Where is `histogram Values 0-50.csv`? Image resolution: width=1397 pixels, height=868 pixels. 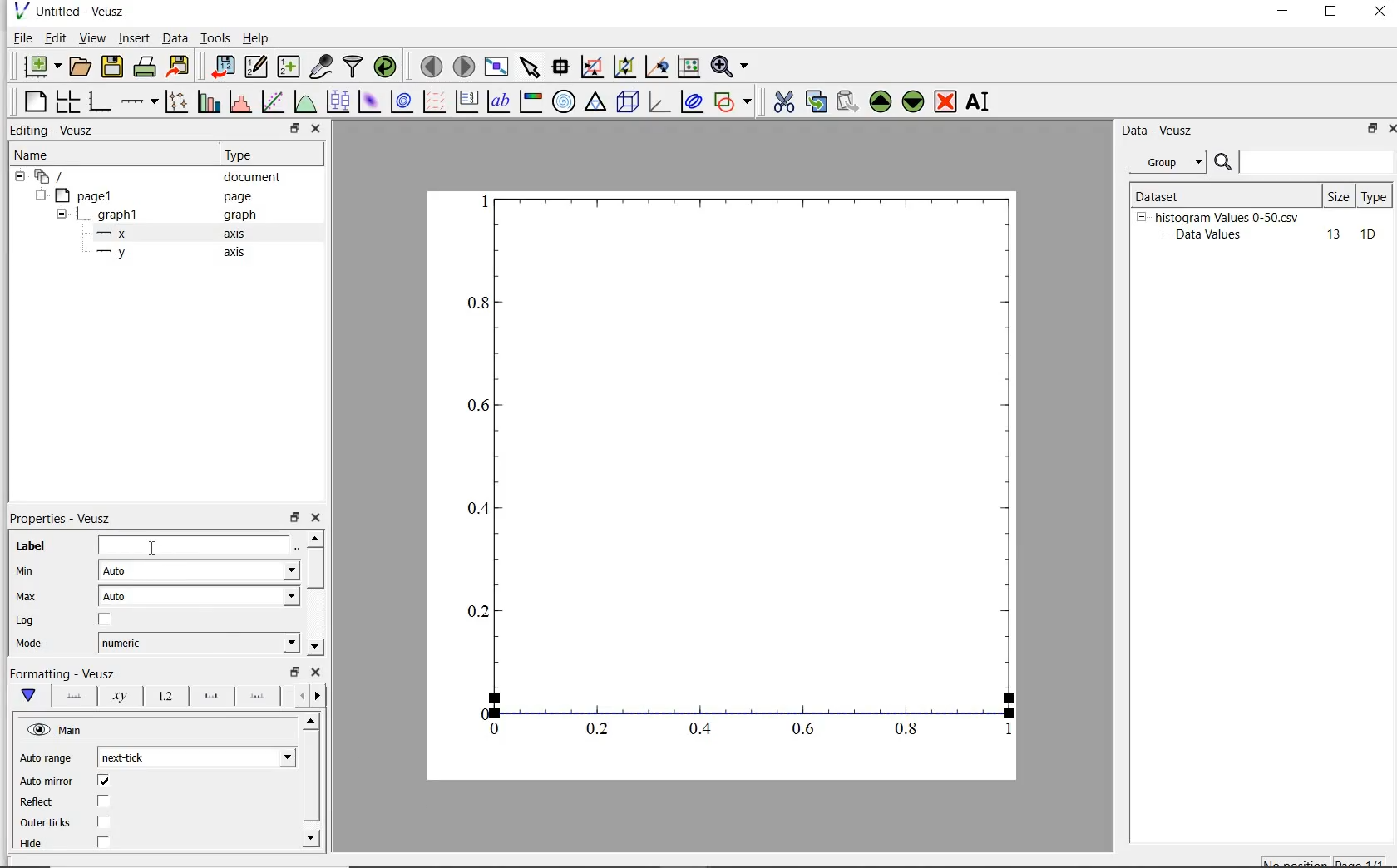
histogram Values 0-50.csv is located at coordinates (1227, 216).